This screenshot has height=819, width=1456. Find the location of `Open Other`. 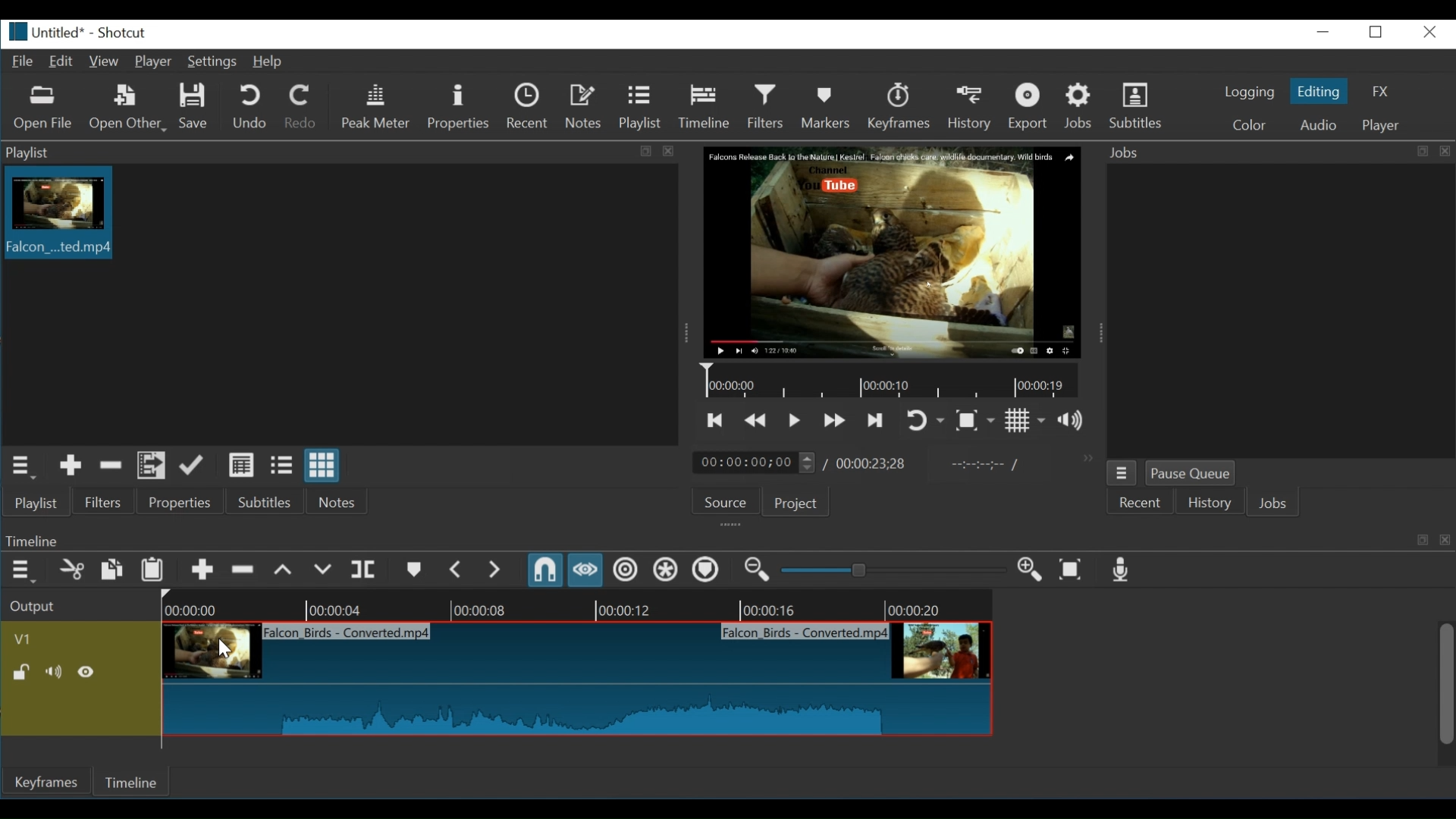

Open Other is located at coordinates (129, 108).